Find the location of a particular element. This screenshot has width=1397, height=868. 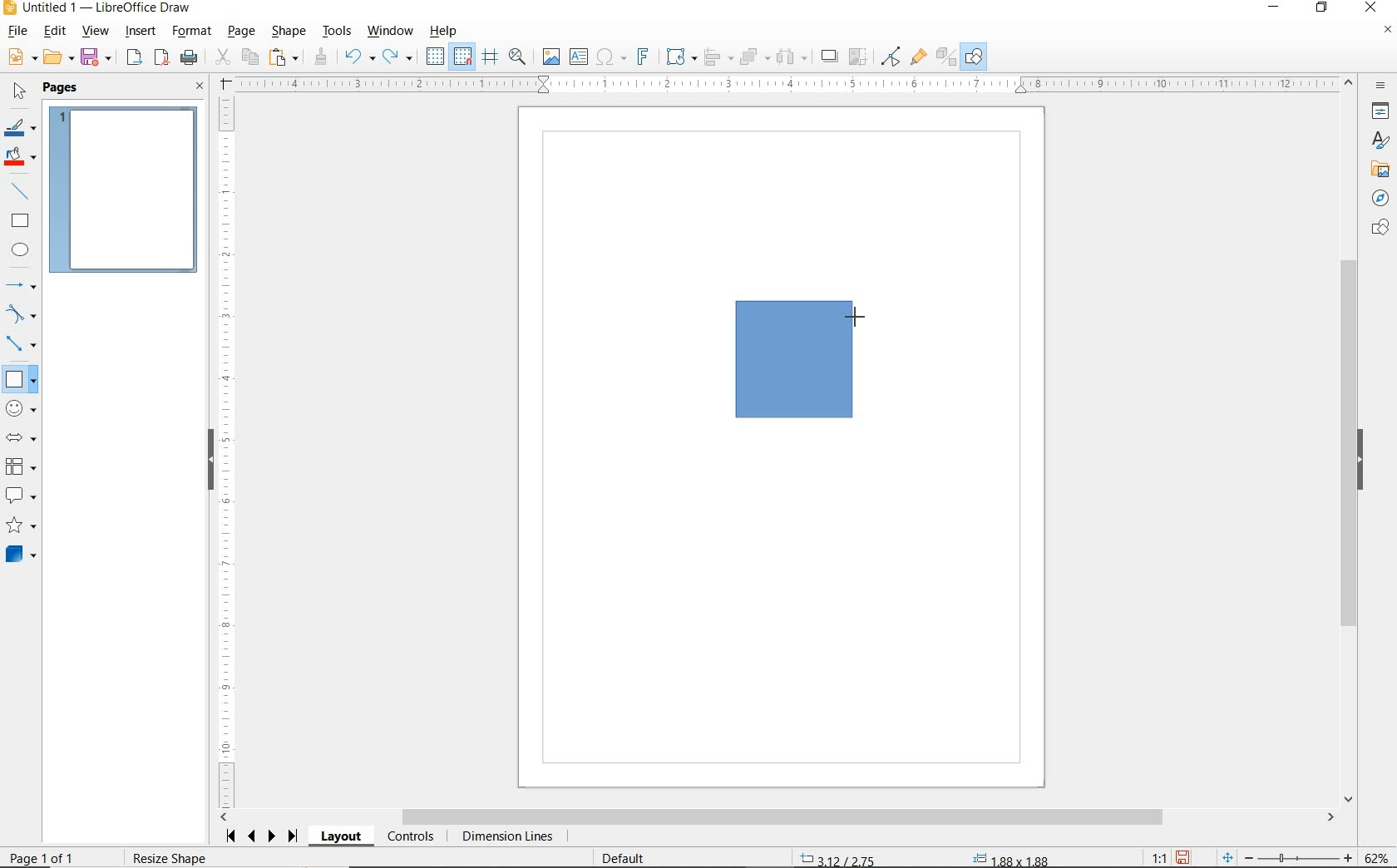

INSERT FRONTWORK TEXT is located at coordinates (642, 57).